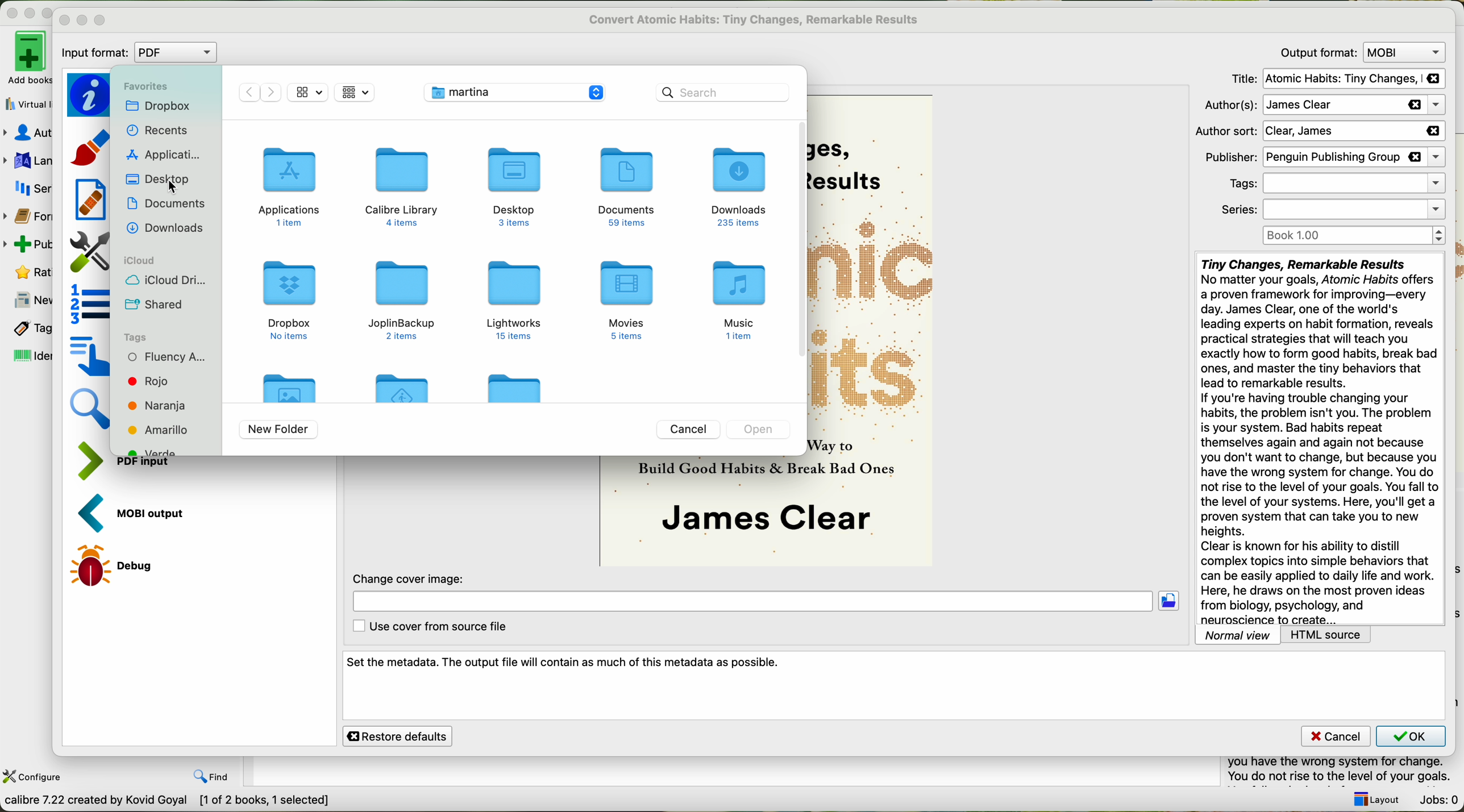  What do you see at coordinates (756, 19) in the screenshot?
I see `convert atomic habits` at bounding box center [756, 19].